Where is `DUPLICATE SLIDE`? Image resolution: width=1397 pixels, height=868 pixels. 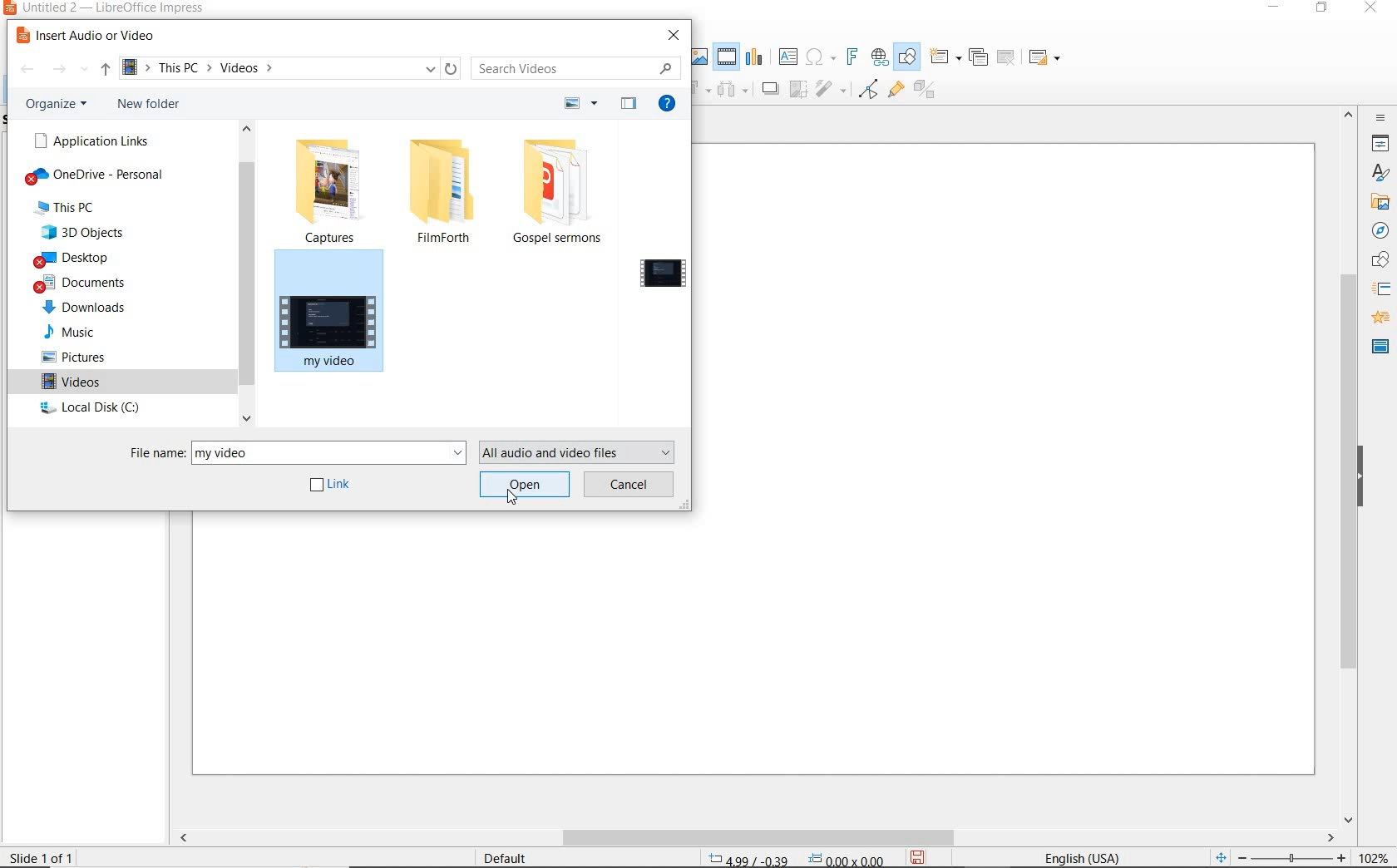
DUPLICATE SLIDE is located at coordinates (979, 59).